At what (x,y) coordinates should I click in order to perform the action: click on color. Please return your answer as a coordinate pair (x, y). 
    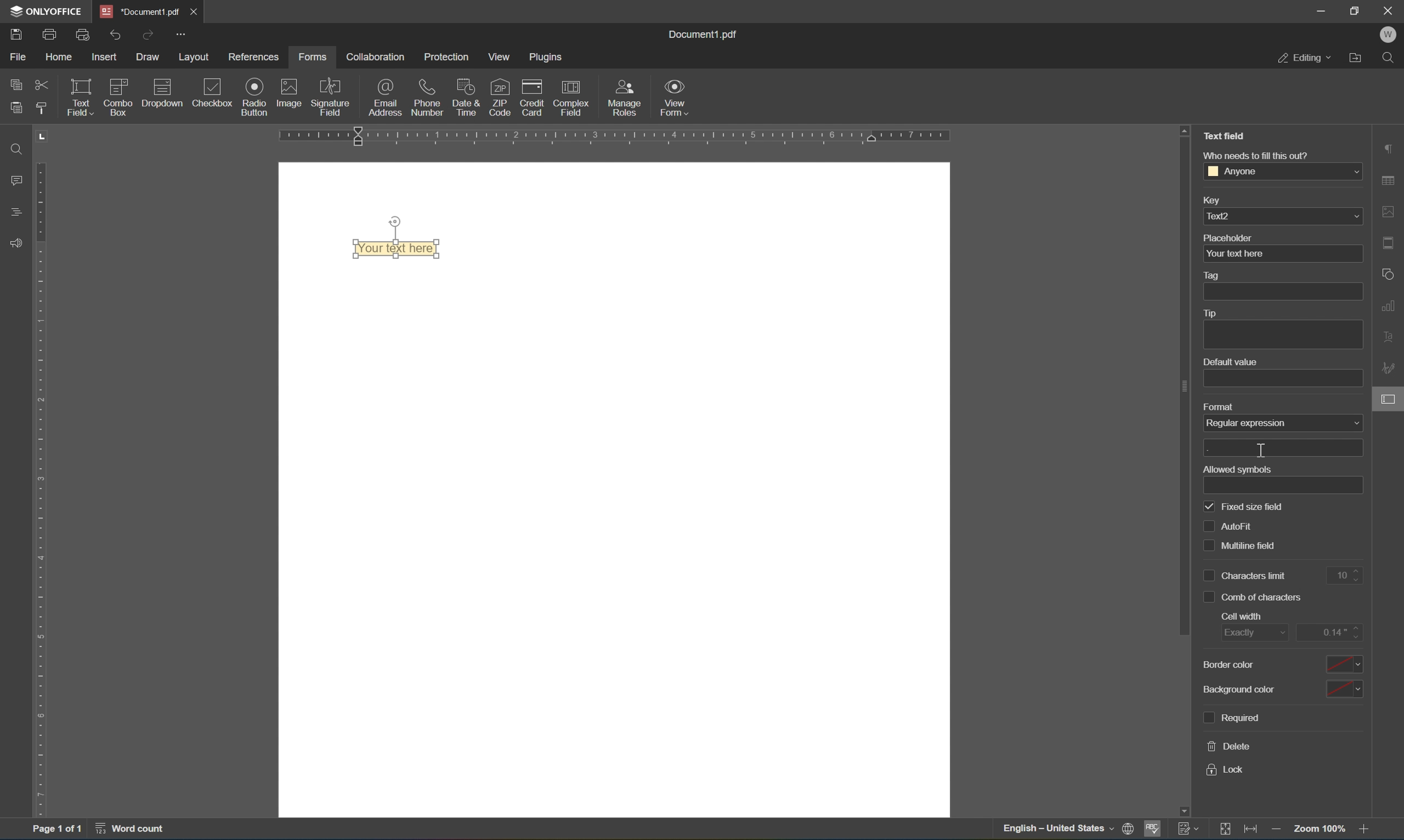
    Looking at the image, I should click on (1346, 665).